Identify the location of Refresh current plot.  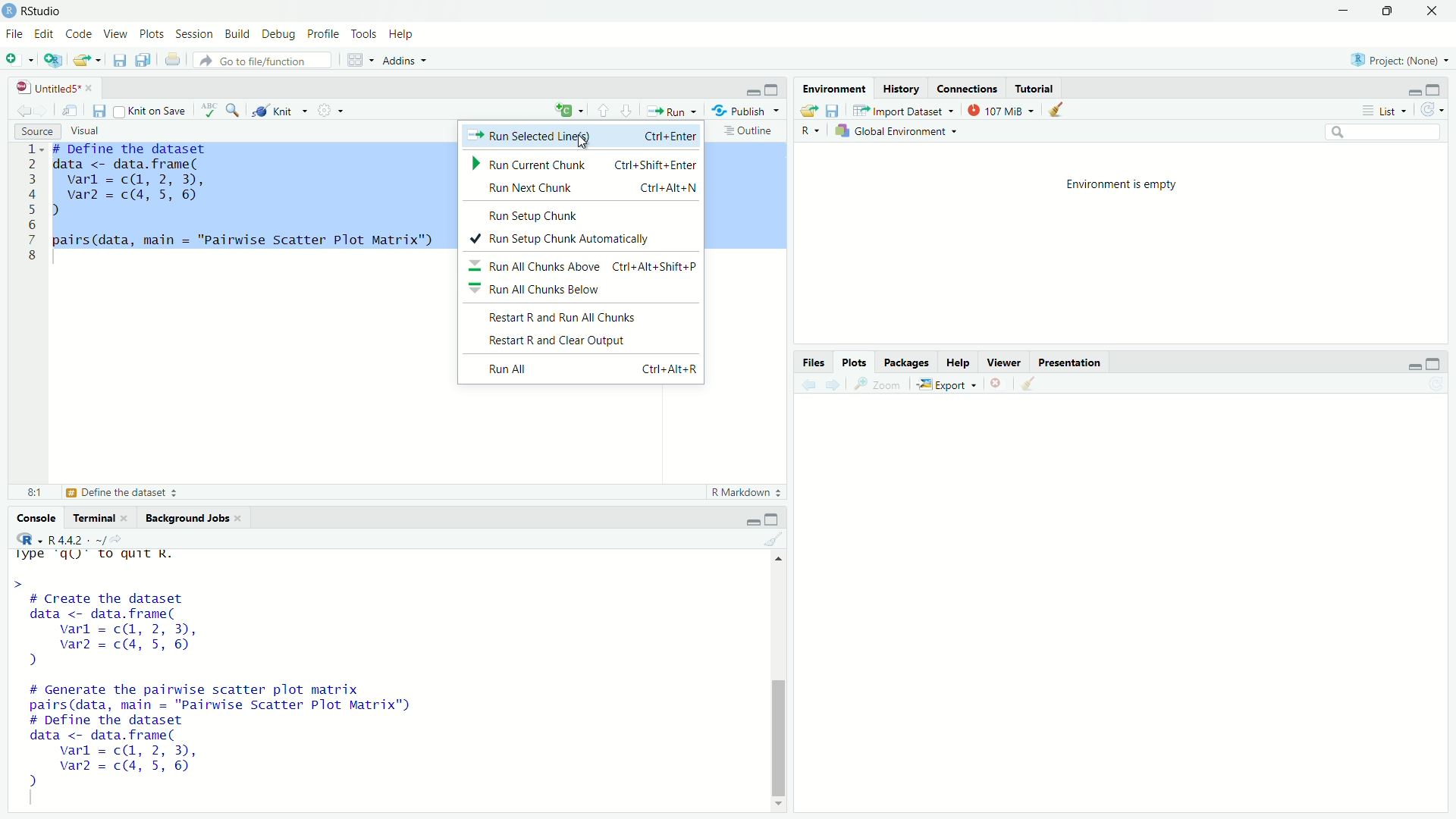
(1436, 384).